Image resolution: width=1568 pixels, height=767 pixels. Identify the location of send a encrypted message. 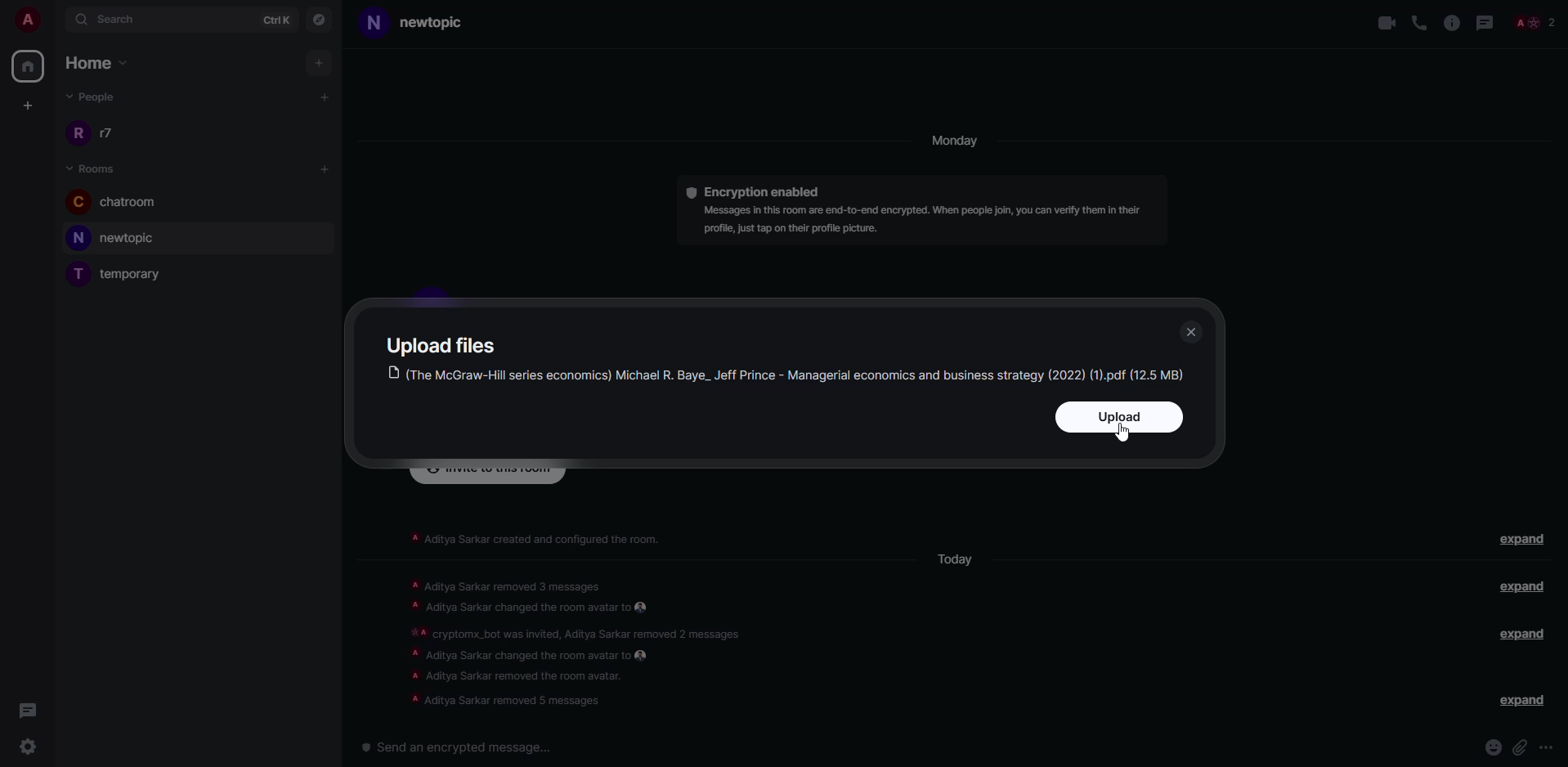
(460, 747).